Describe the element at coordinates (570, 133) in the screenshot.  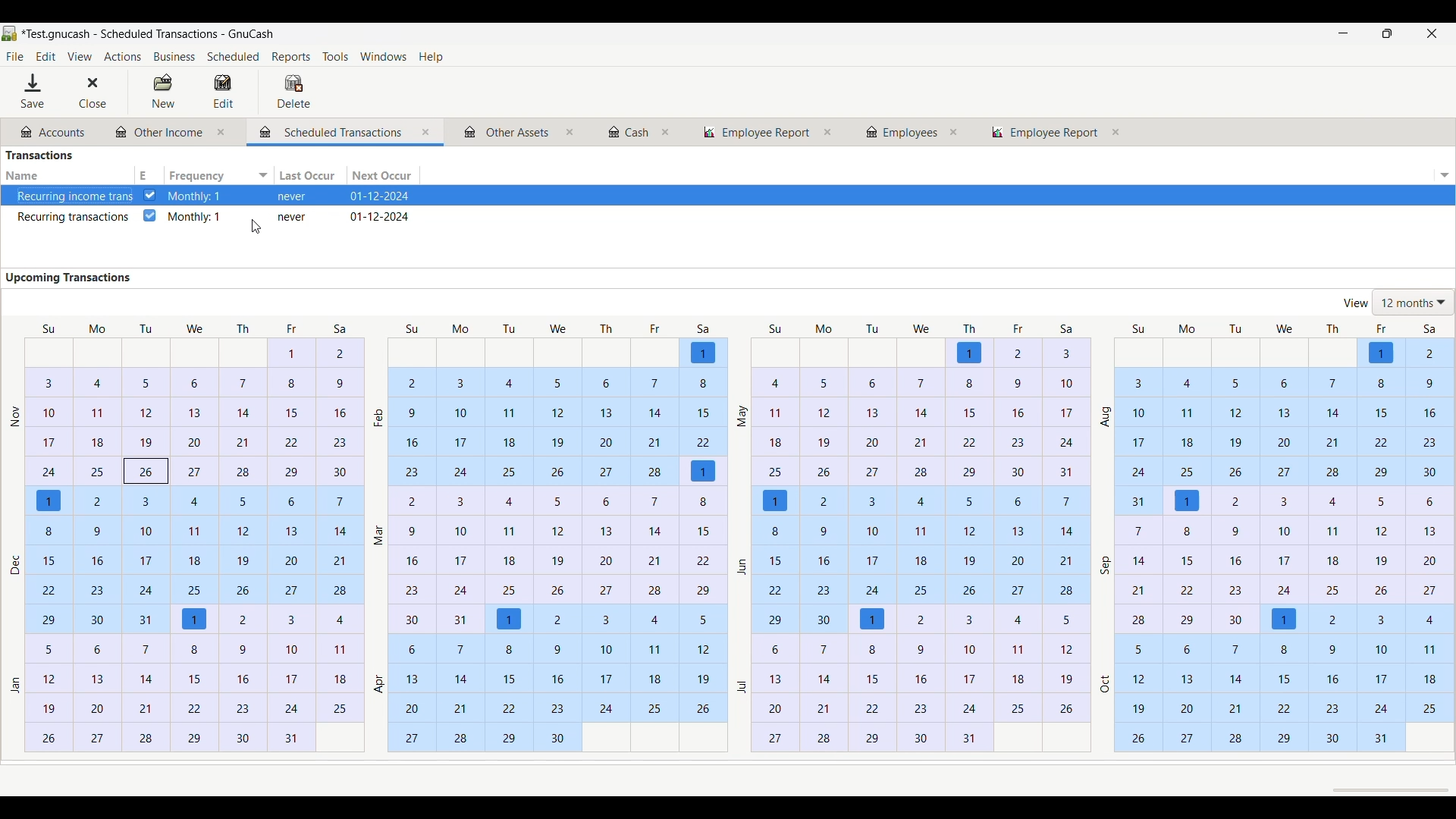
I see `close` at that location.